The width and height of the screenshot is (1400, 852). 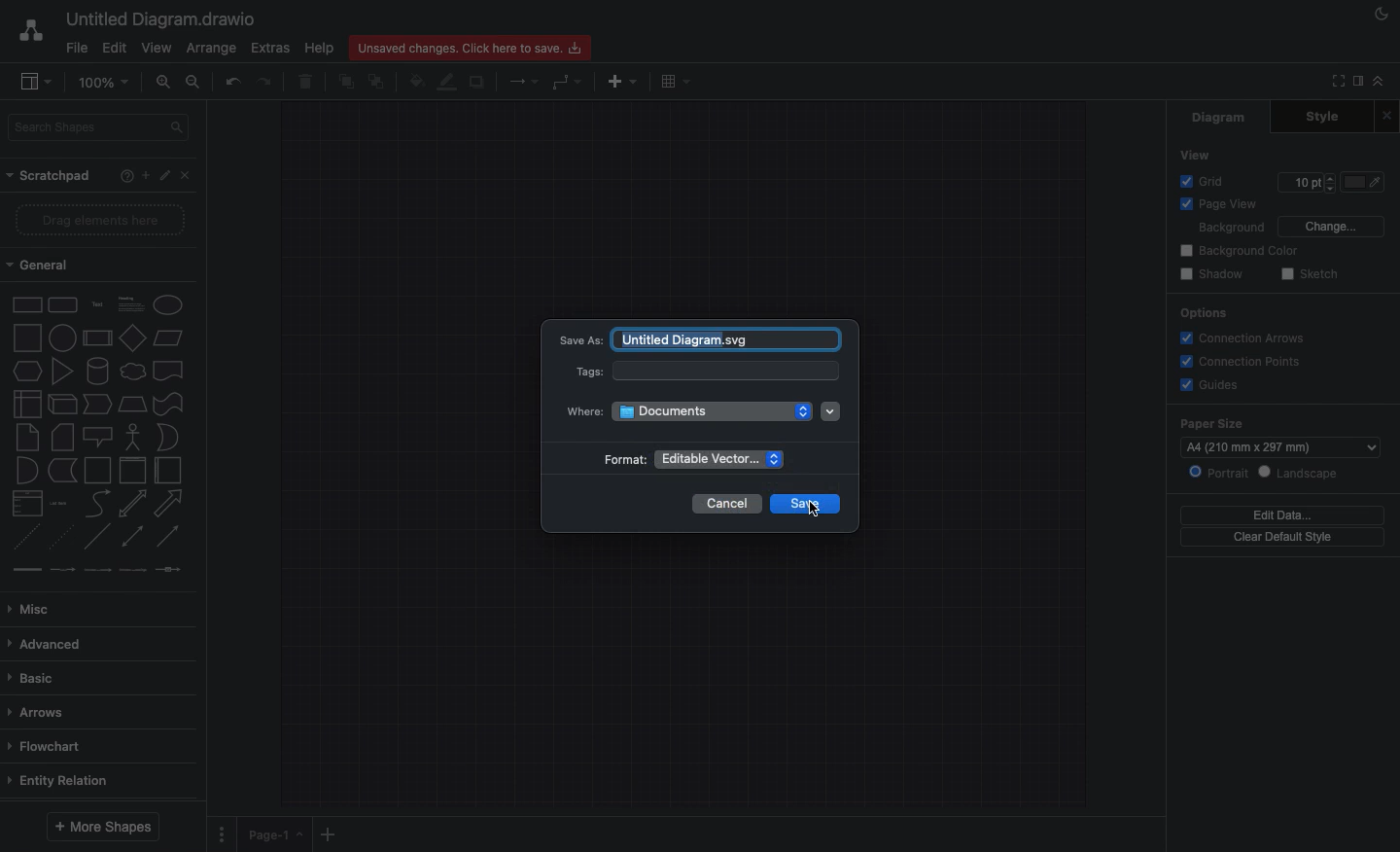 What do you see at coordinates (620, 461) in the screenshot?
I see `Format` at bounding box center [620, 461].